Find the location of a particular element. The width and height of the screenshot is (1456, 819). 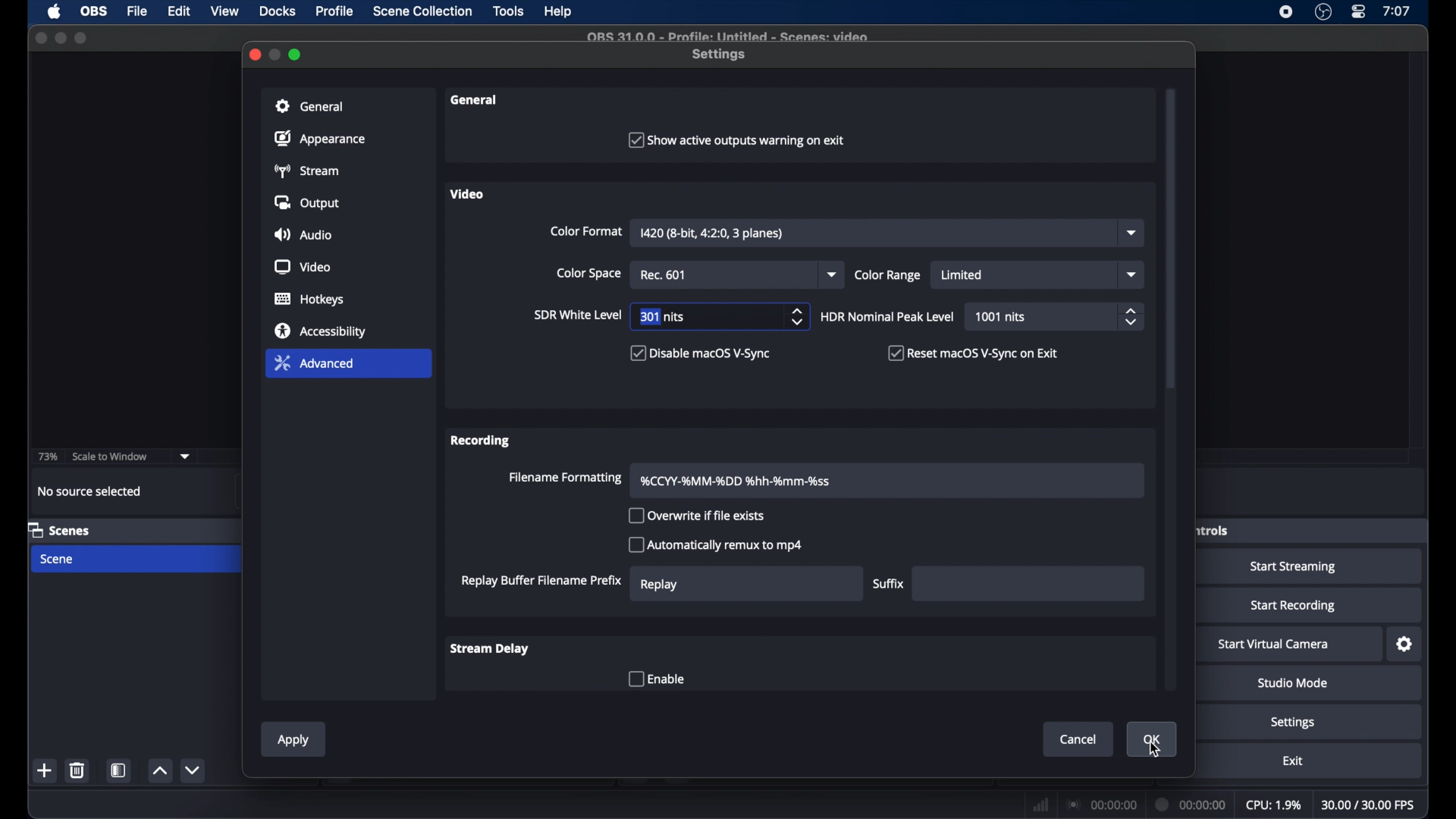

dropdown is located at coordinates (186, 456).